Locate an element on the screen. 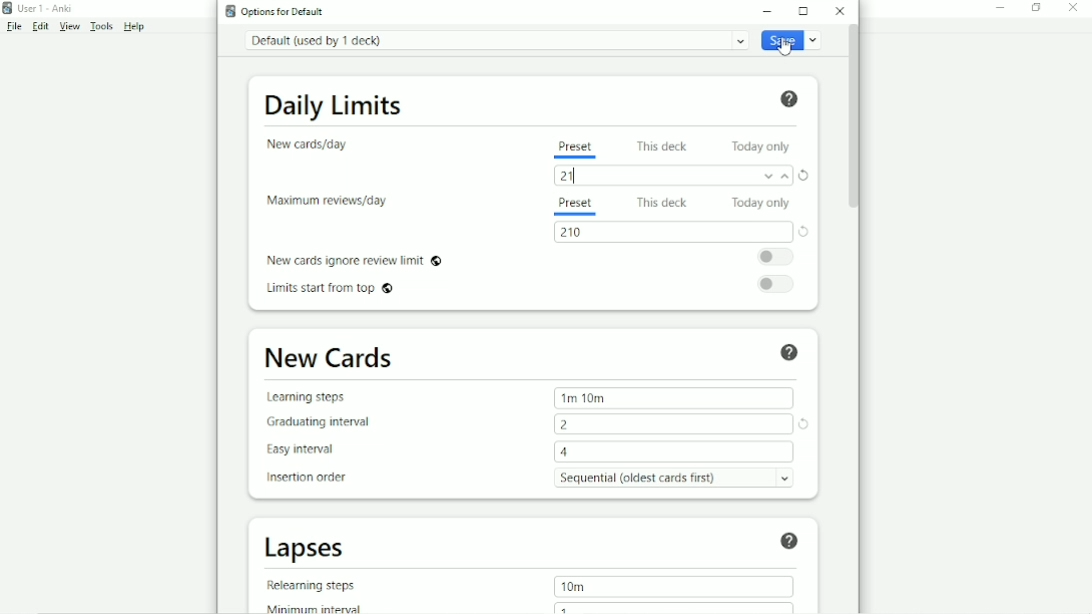 The width and height of the screenshot is (1092, 614). Toggle on/off is located at coordinates (774, 285).